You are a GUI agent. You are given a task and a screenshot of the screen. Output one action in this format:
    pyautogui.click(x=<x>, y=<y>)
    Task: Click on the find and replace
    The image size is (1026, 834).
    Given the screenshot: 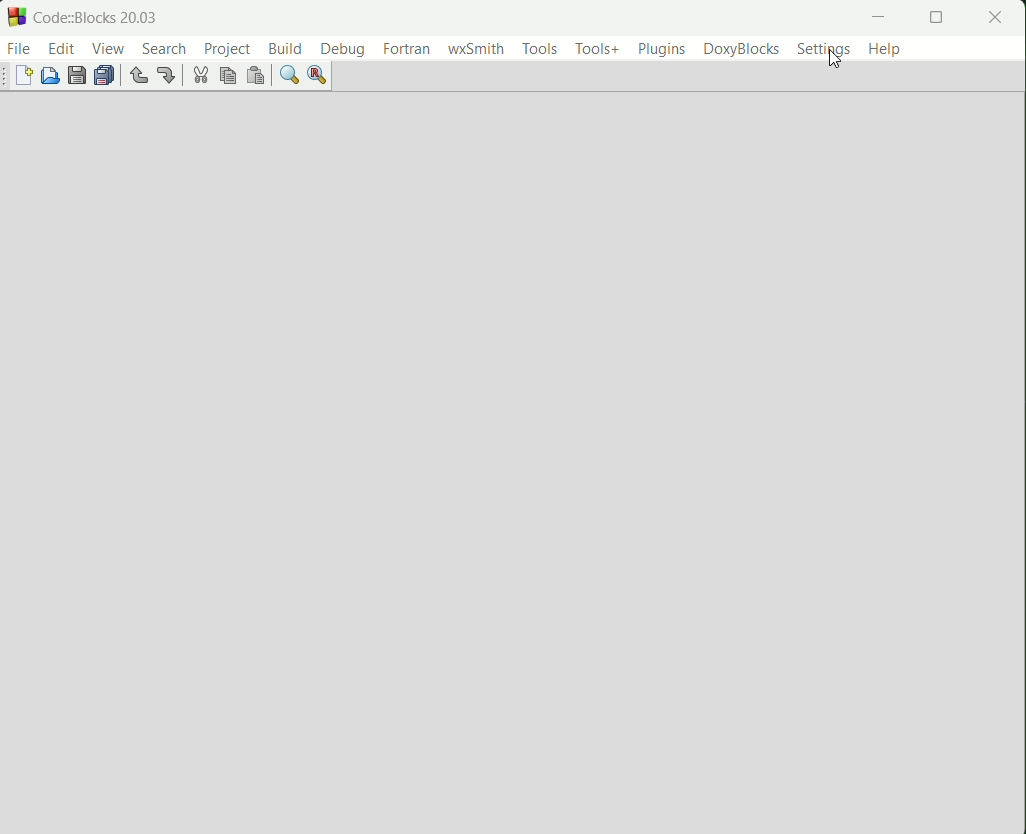 What is the action you would take?
    pyautogui.click(x=320, y=76)
    